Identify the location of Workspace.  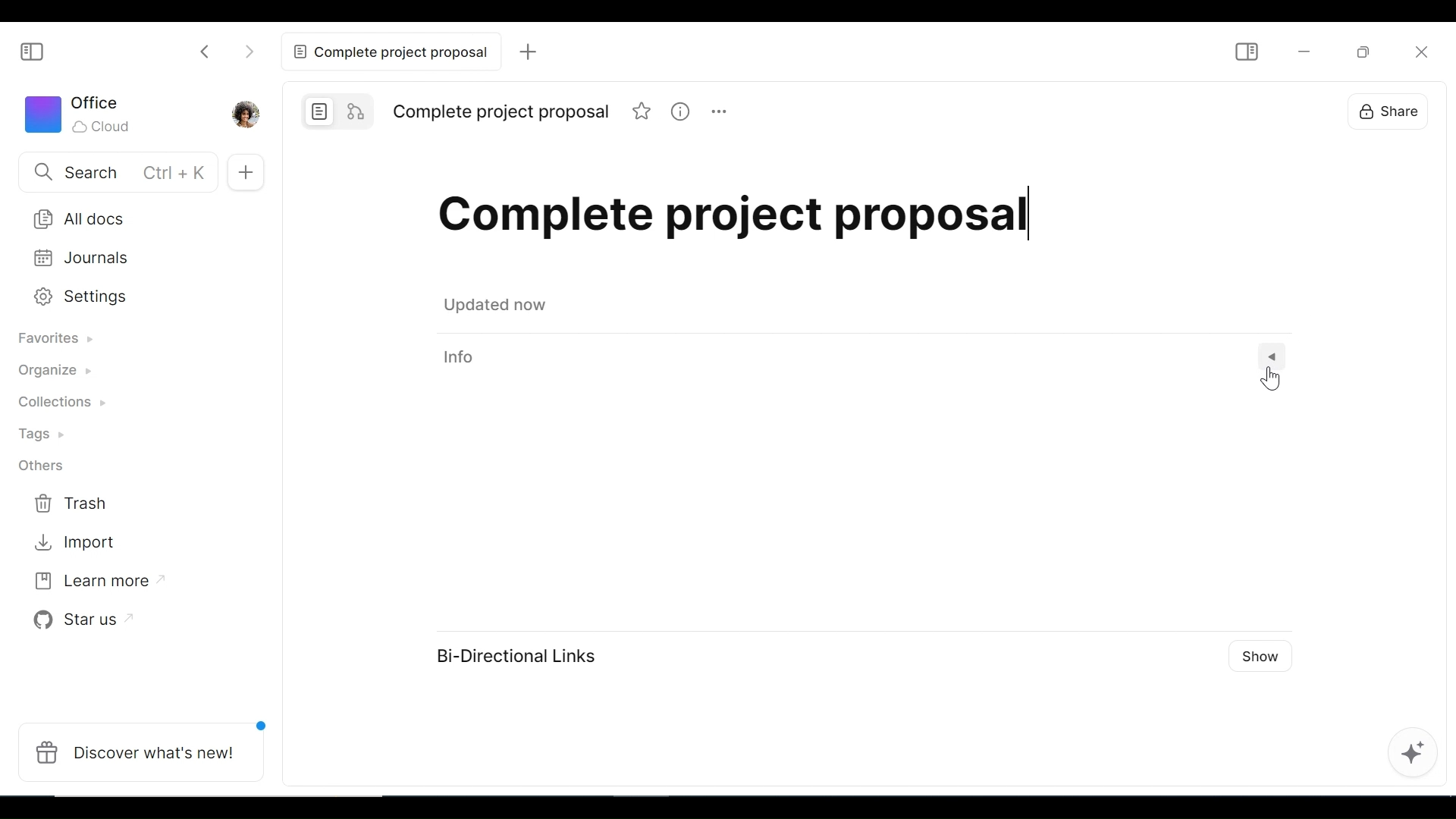
(83, 115).